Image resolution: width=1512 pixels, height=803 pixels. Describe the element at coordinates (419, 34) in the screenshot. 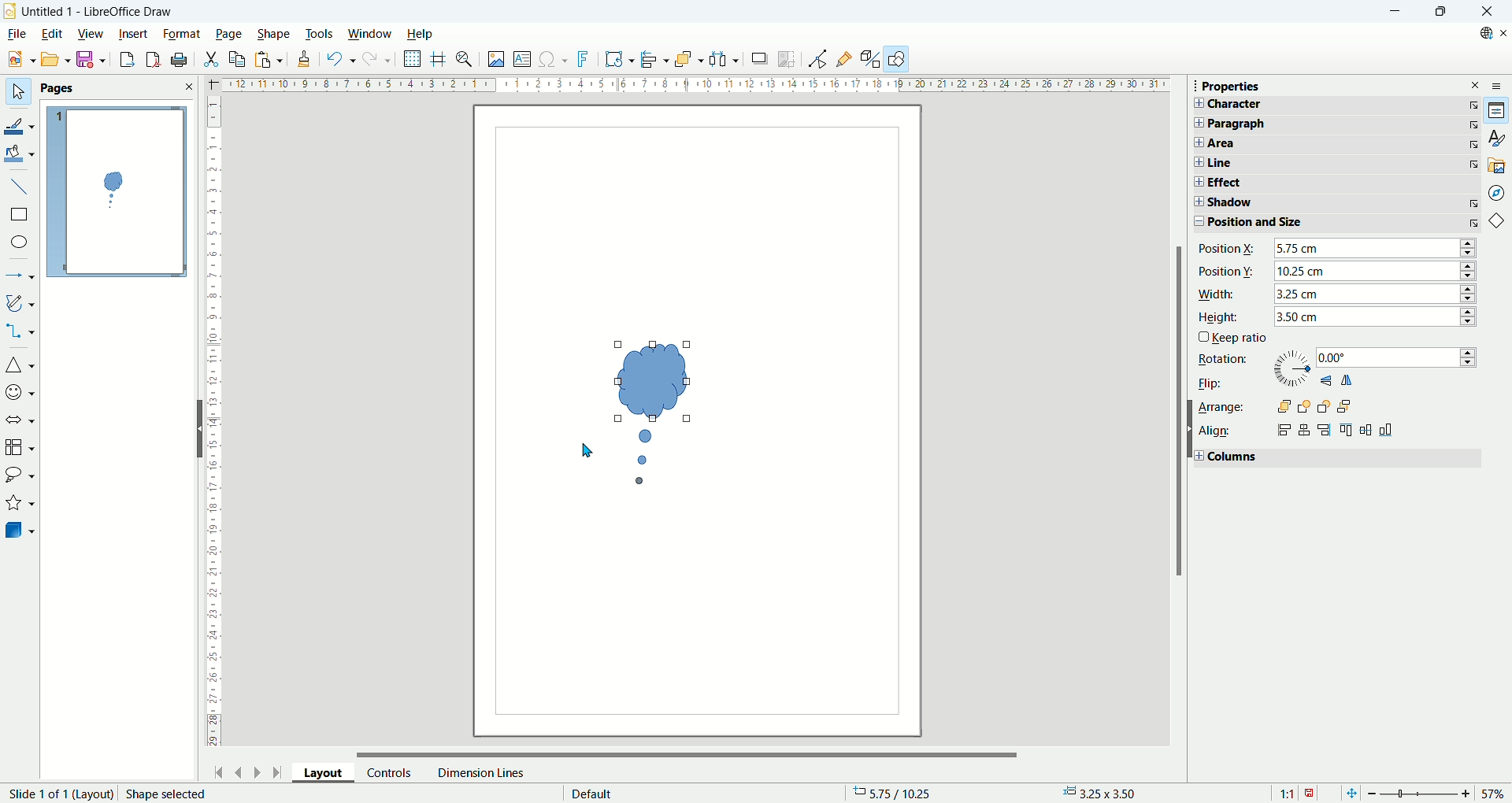

I see `help` at that location.